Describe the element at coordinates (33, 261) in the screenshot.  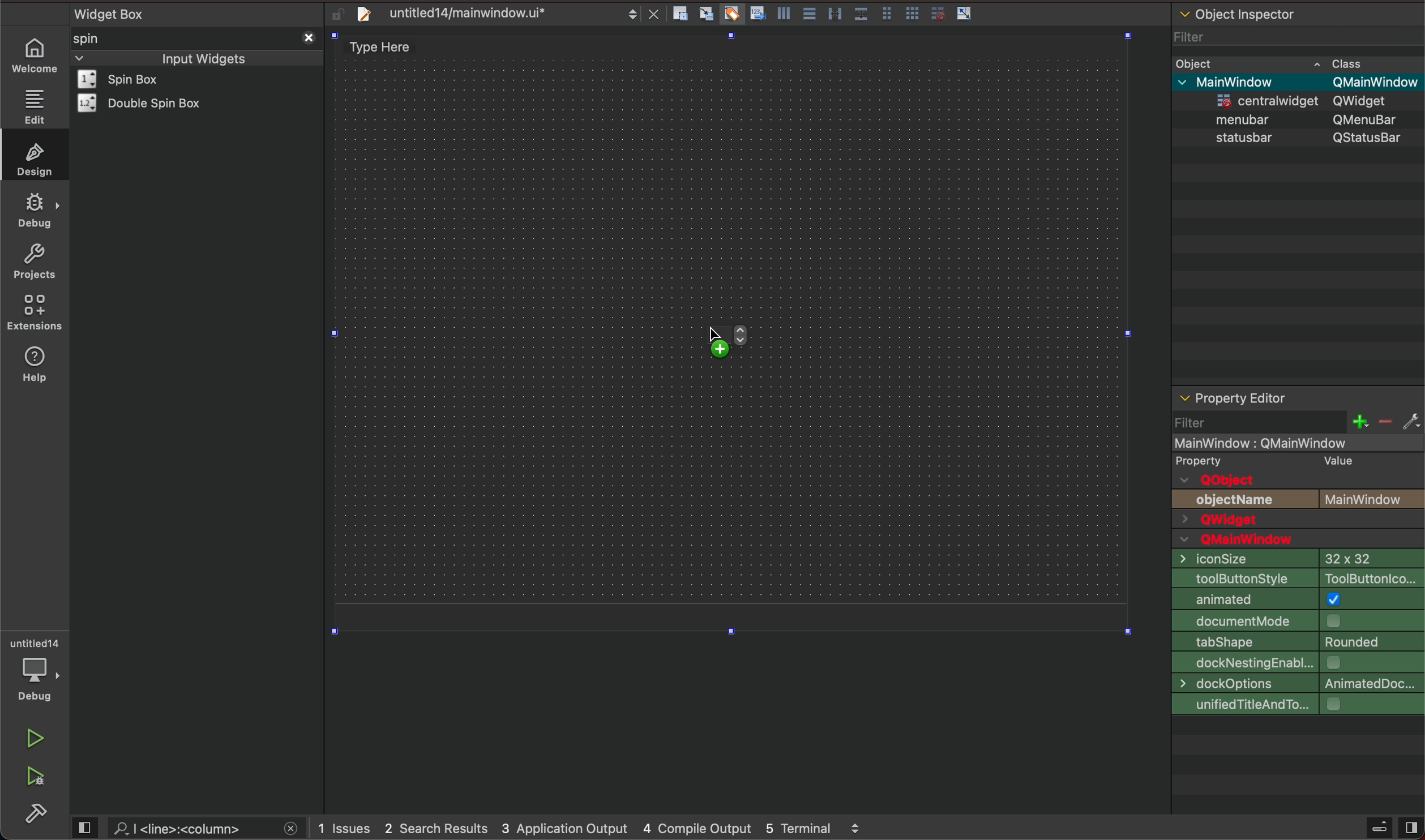
I see `projects` at that location.